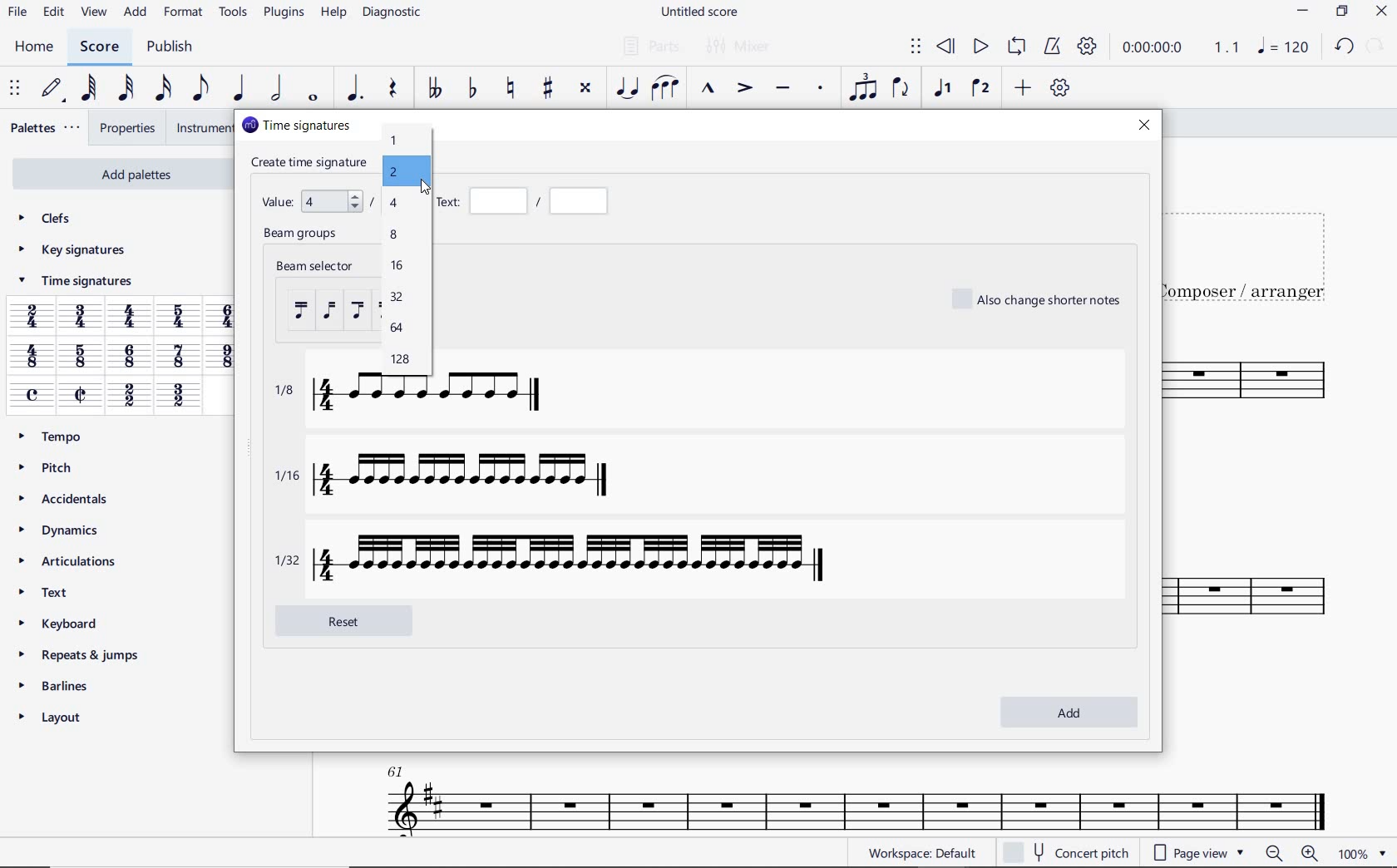 The image size is (1397, 868). What do you see at coordinates (901, 89) in the screenshot?
I see `FLIP DIRECTION` at bounding box center [901, 89].